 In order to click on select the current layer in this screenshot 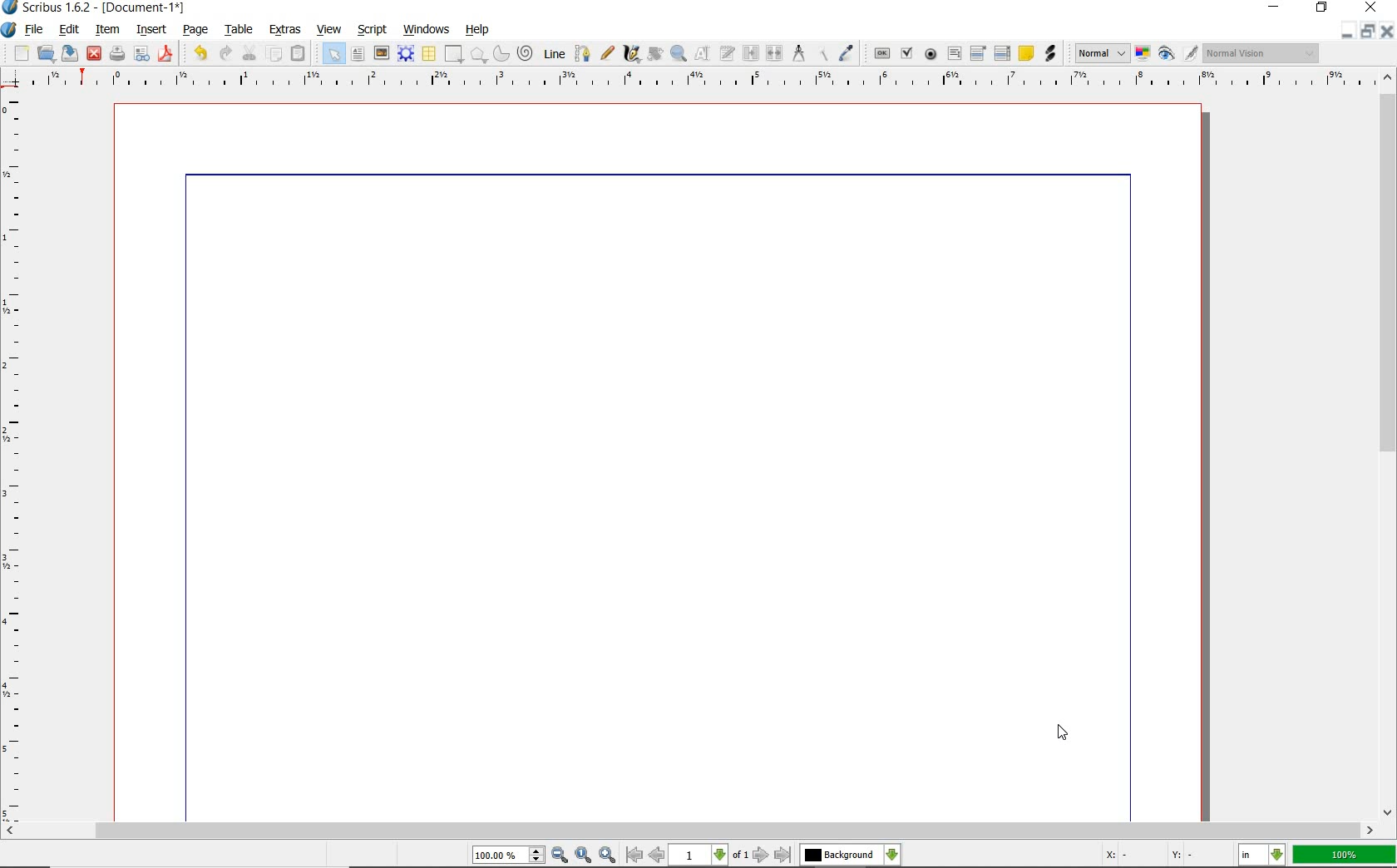, I will do `click(851, 855)`.